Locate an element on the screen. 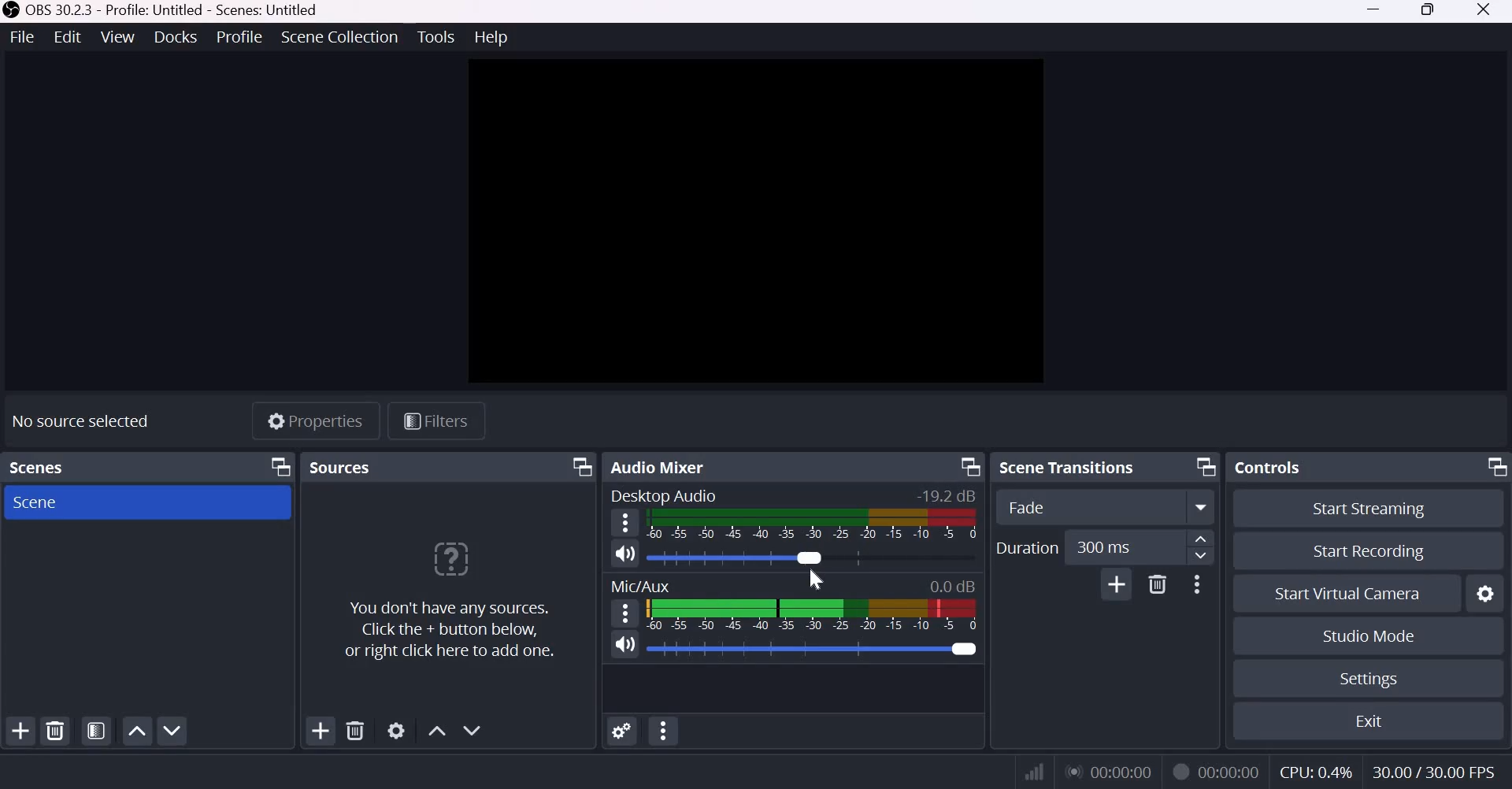 This screenshot has height=789, width=1512. Help is located at coordinates (492, 37).